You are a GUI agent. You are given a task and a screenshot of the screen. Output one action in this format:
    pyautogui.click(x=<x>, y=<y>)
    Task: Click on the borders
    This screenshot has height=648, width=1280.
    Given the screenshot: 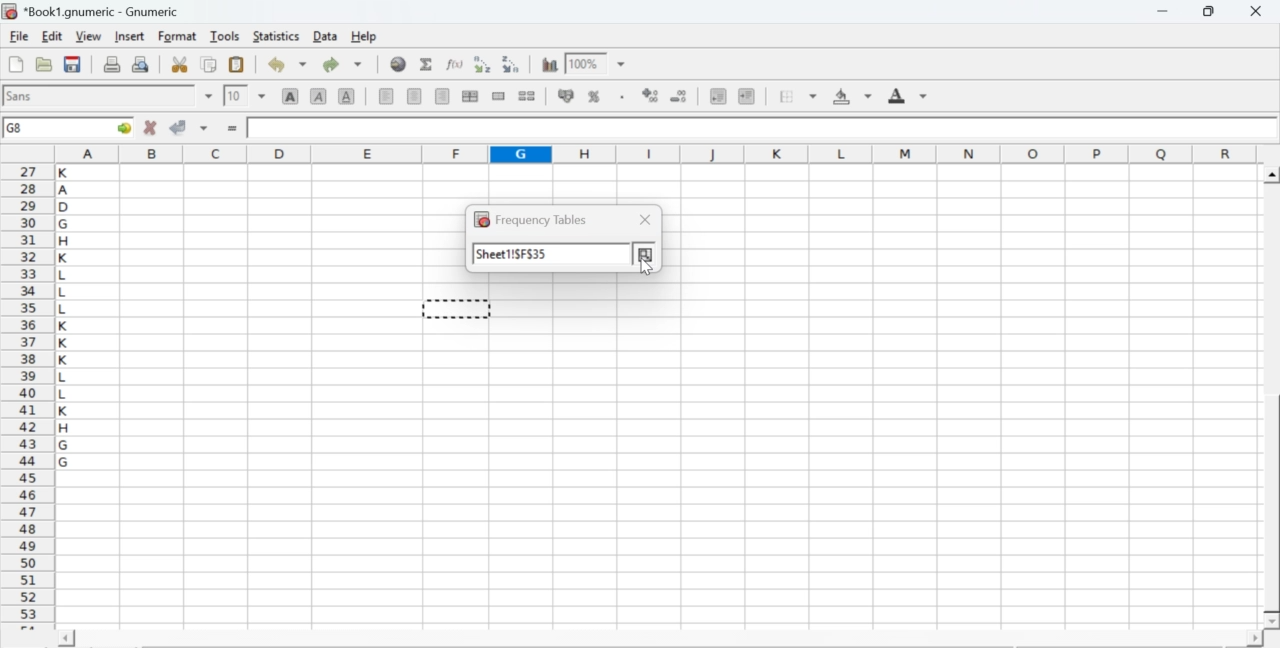 What is the action you would take?
    pyautogui.click(x=799, y=96)
    